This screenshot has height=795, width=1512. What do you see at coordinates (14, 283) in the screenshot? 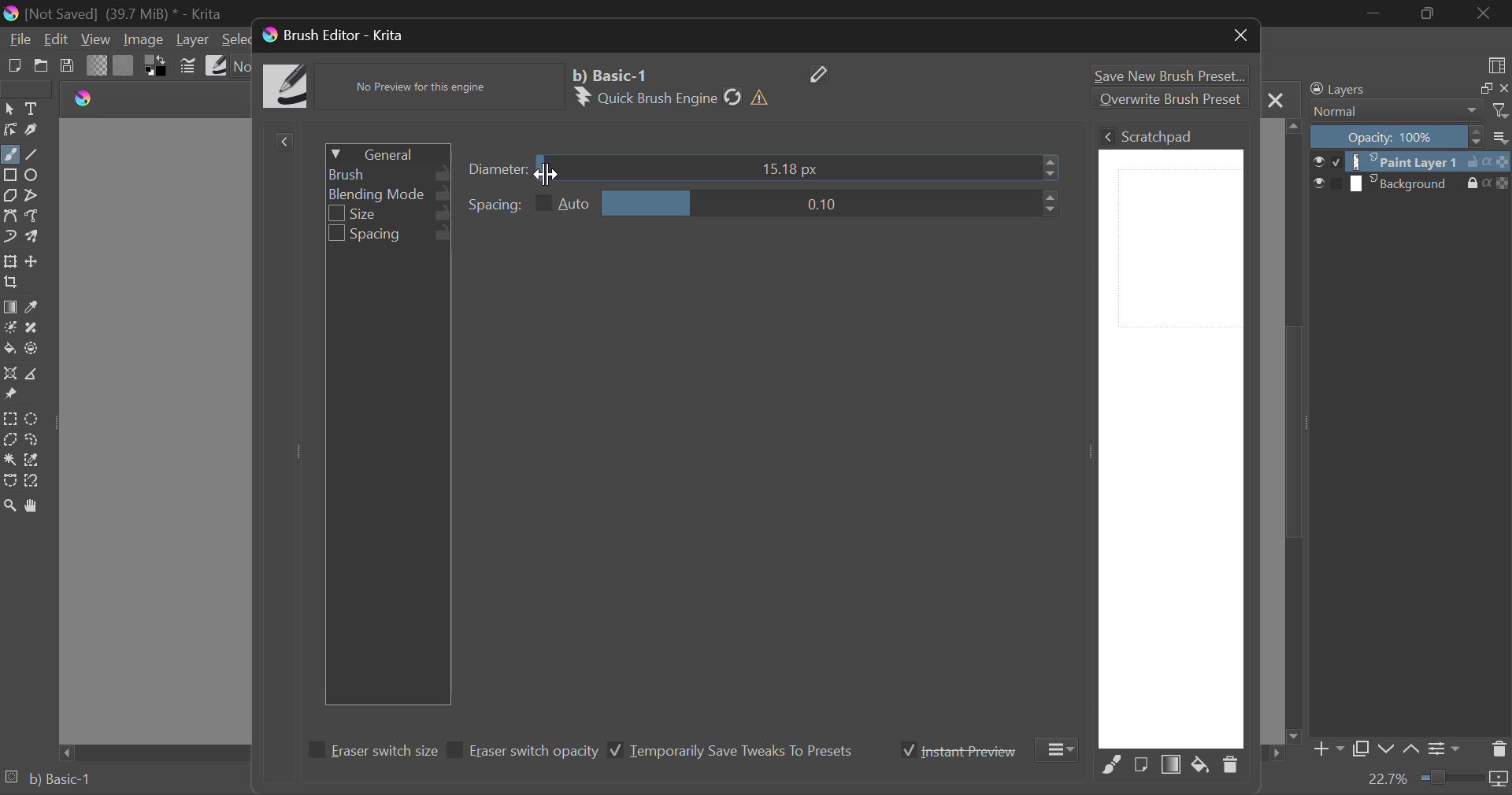
I see `Crop Layer` at bounding box center [14, 283].